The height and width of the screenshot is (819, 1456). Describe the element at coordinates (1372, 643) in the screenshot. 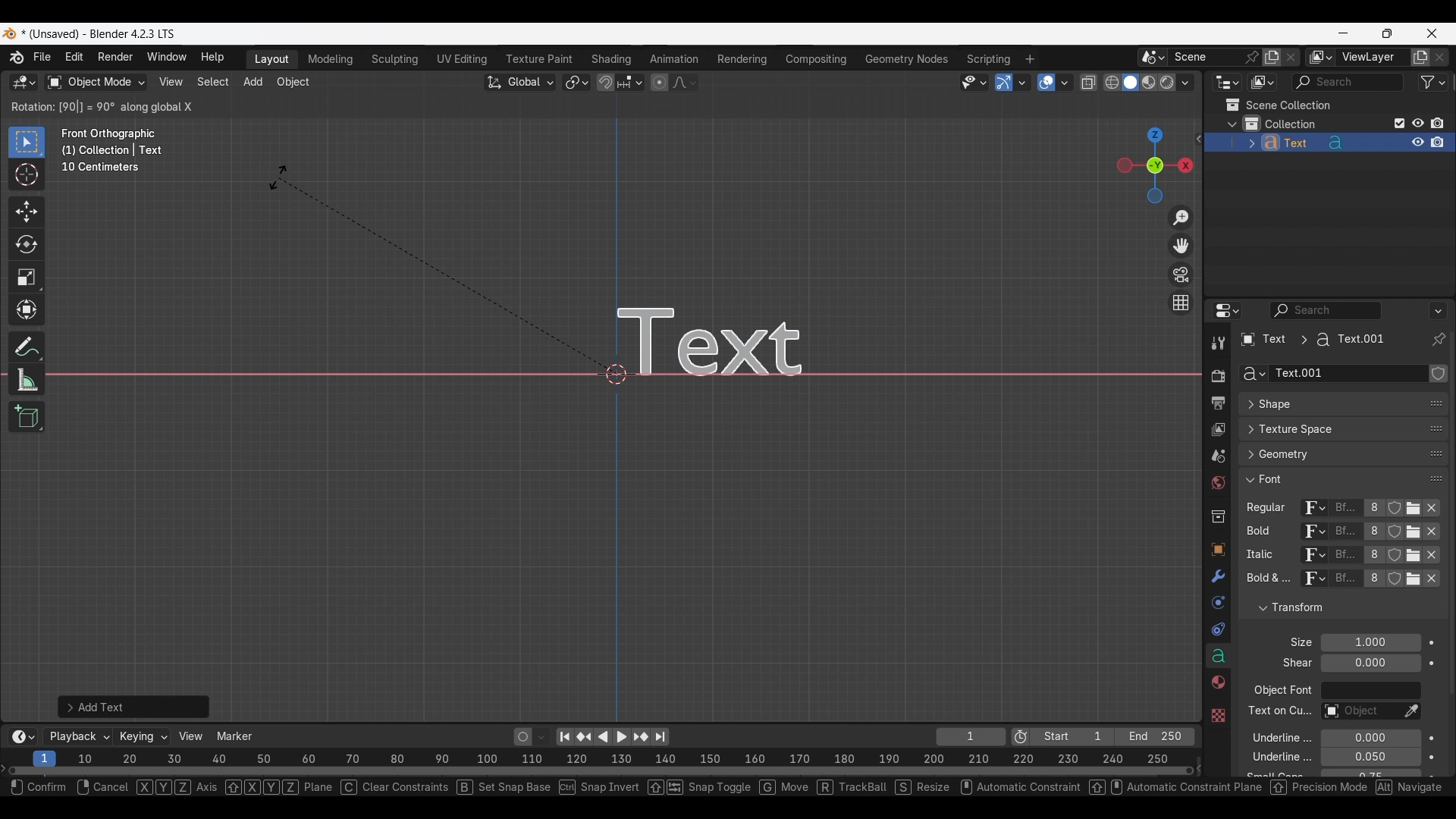

I see `Font size` at that location.